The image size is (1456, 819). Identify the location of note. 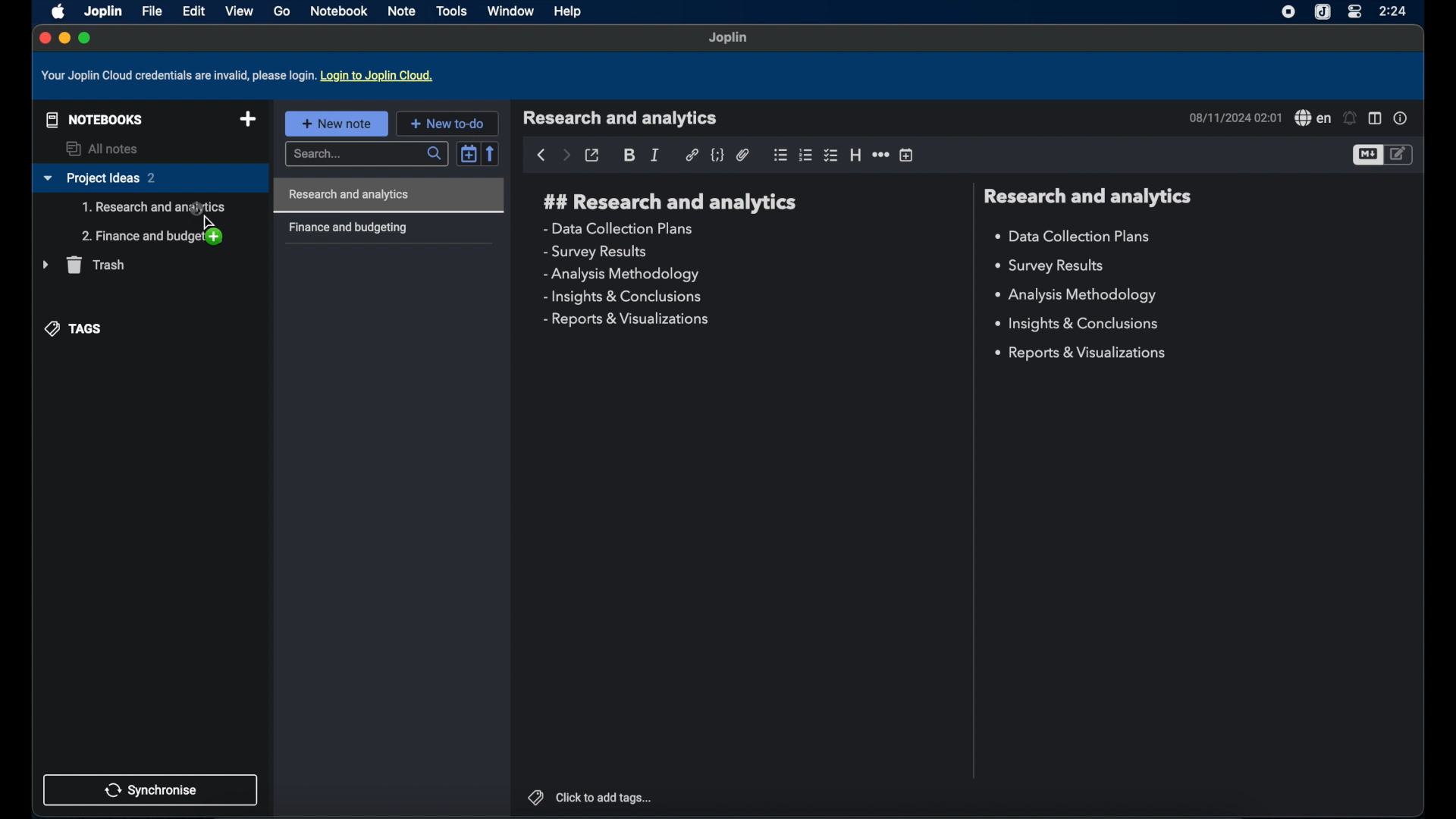
(403, 11).